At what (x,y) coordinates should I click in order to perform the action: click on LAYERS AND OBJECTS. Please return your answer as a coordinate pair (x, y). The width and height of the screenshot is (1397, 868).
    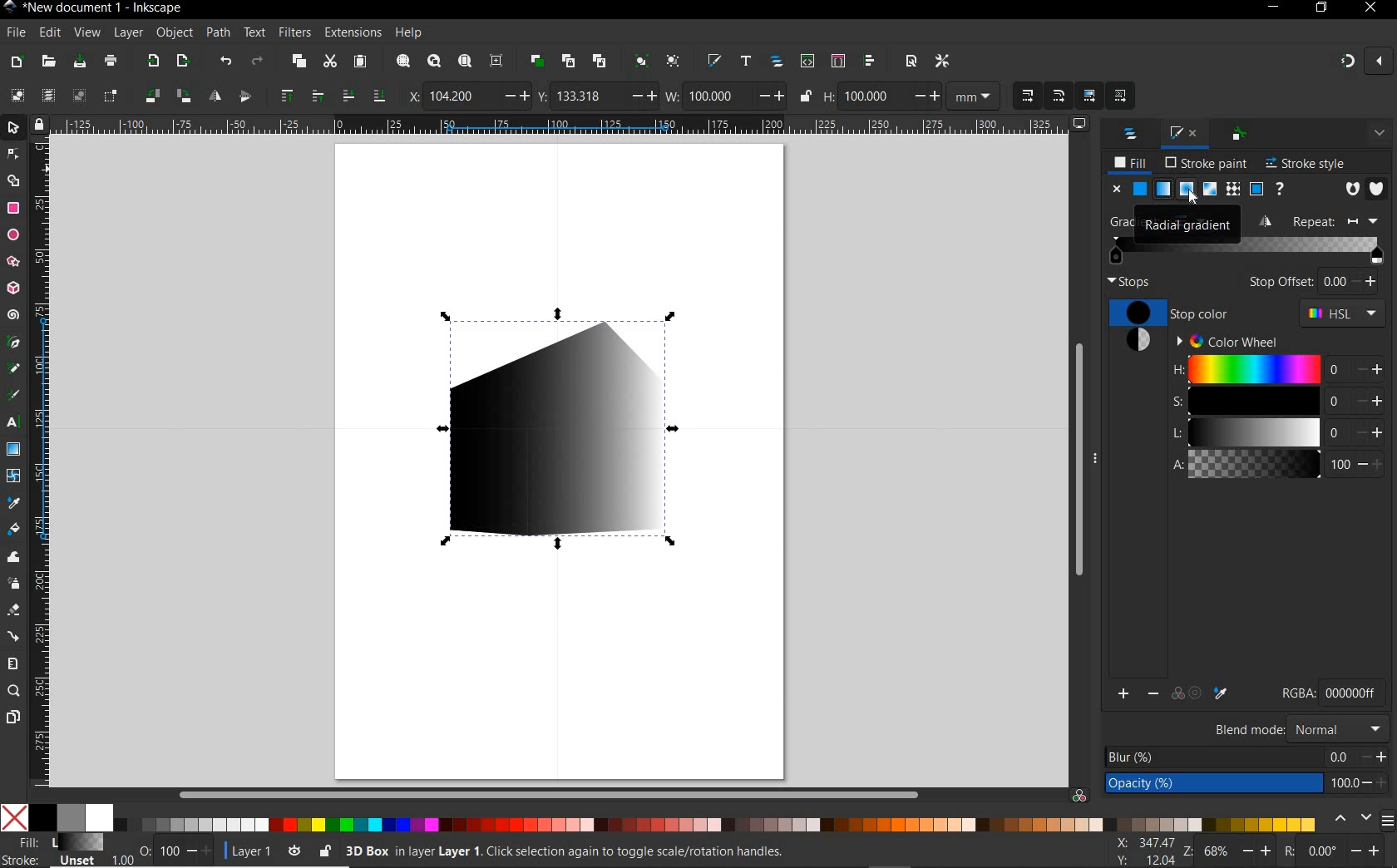
    Looking at the image, I should click on (1128, 133).